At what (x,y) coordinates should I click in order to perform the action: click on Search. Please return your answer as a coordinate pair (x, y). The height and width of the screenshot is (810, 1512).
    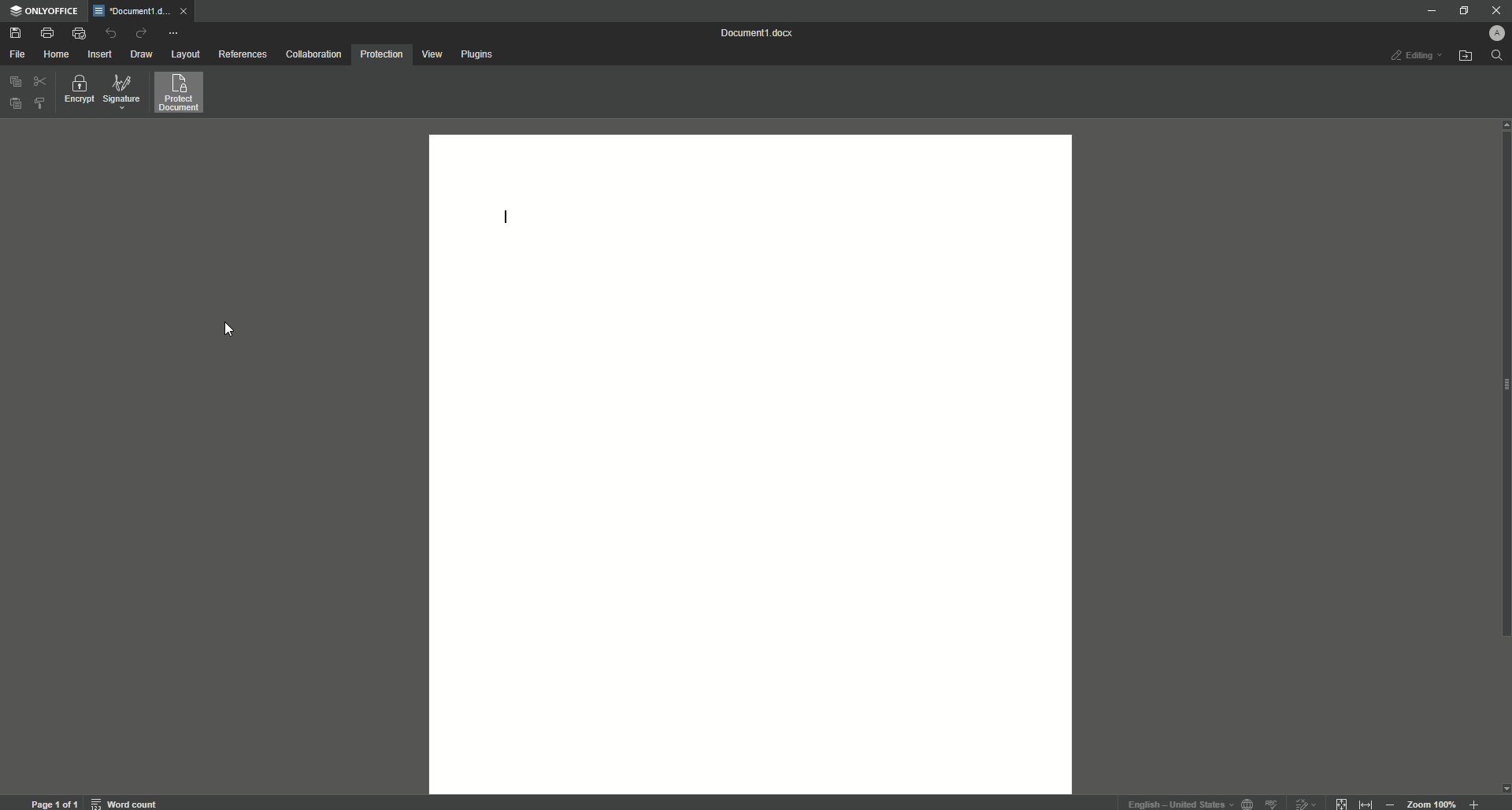
    Looking at the image, I should click on (1498, 60).